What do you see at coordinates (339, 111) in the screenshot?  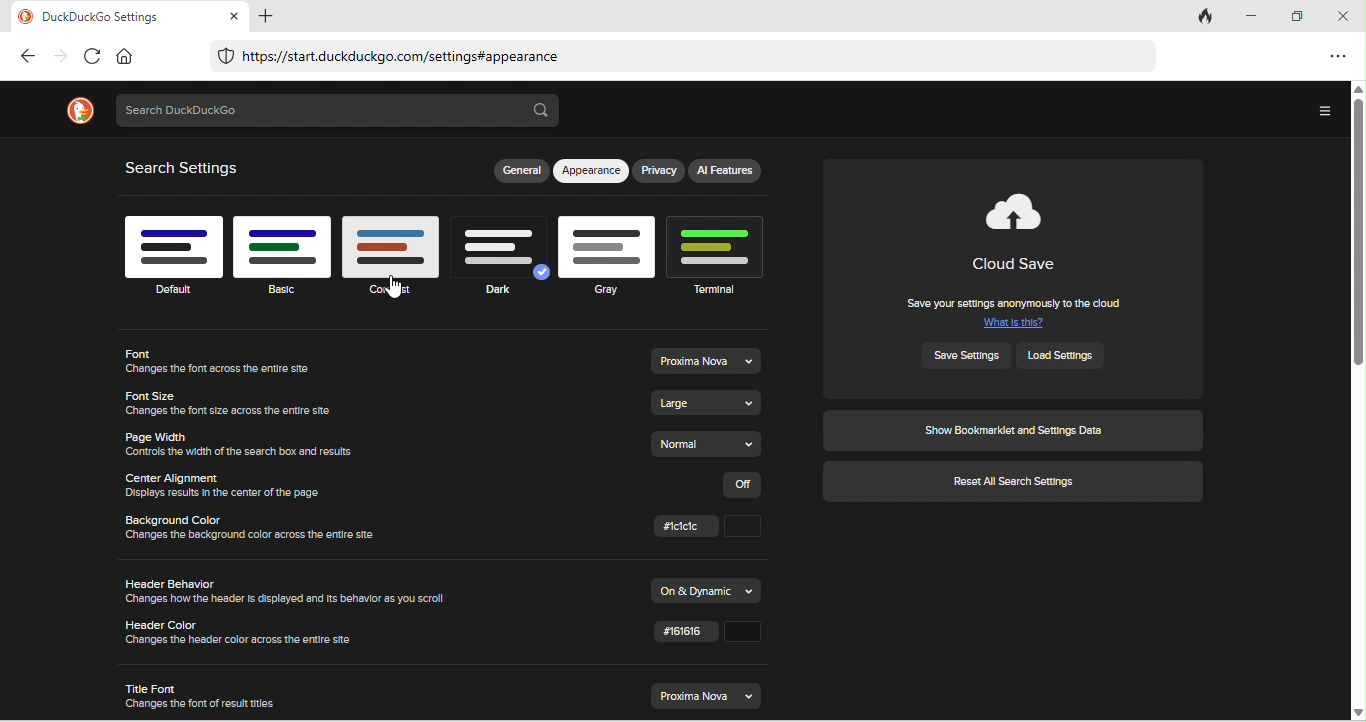 I see `search bar` at bounding box center [339, 111].